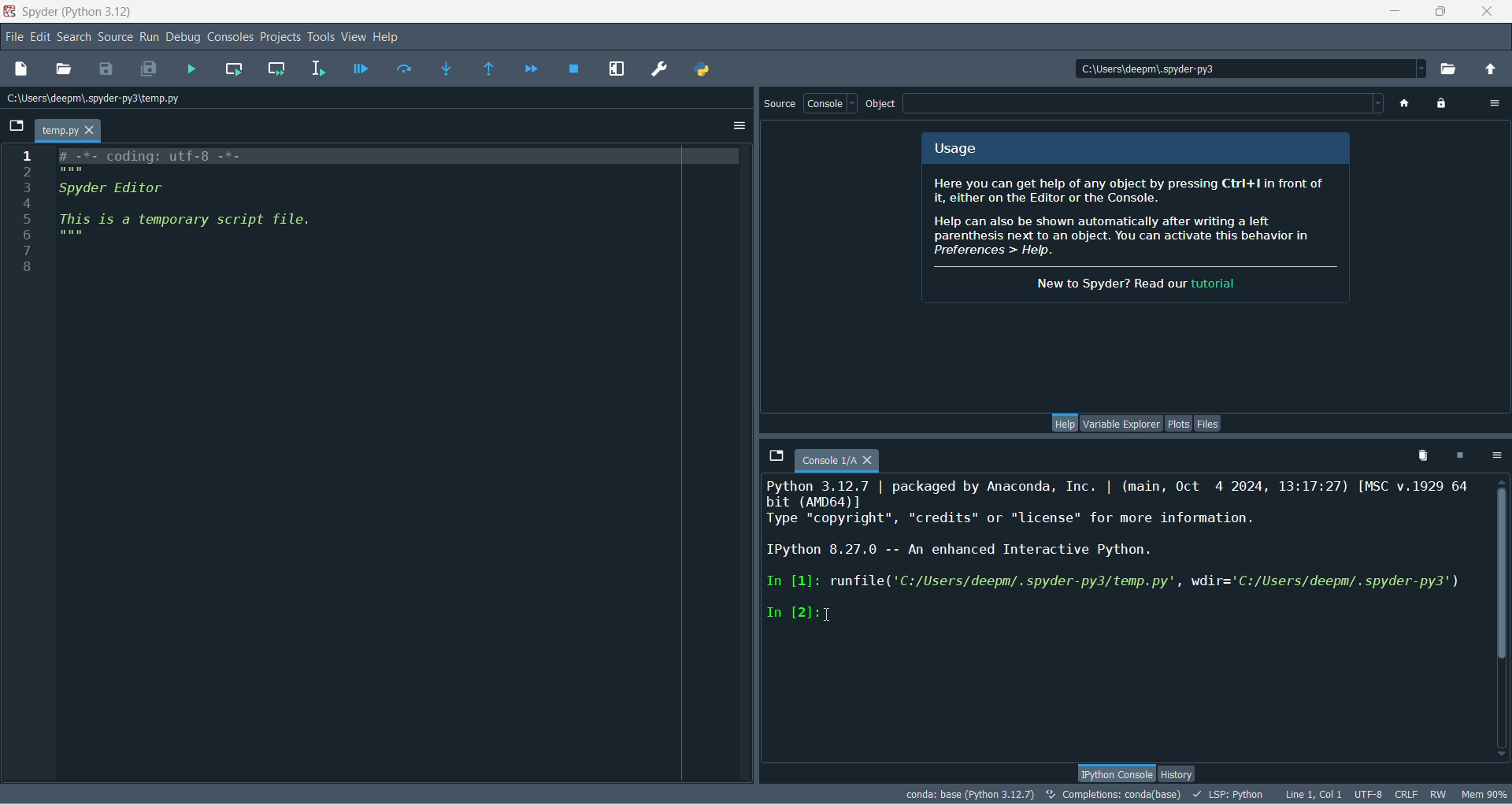 The image size is (1512, 805). I want to click on preferences, so click(658, 70).